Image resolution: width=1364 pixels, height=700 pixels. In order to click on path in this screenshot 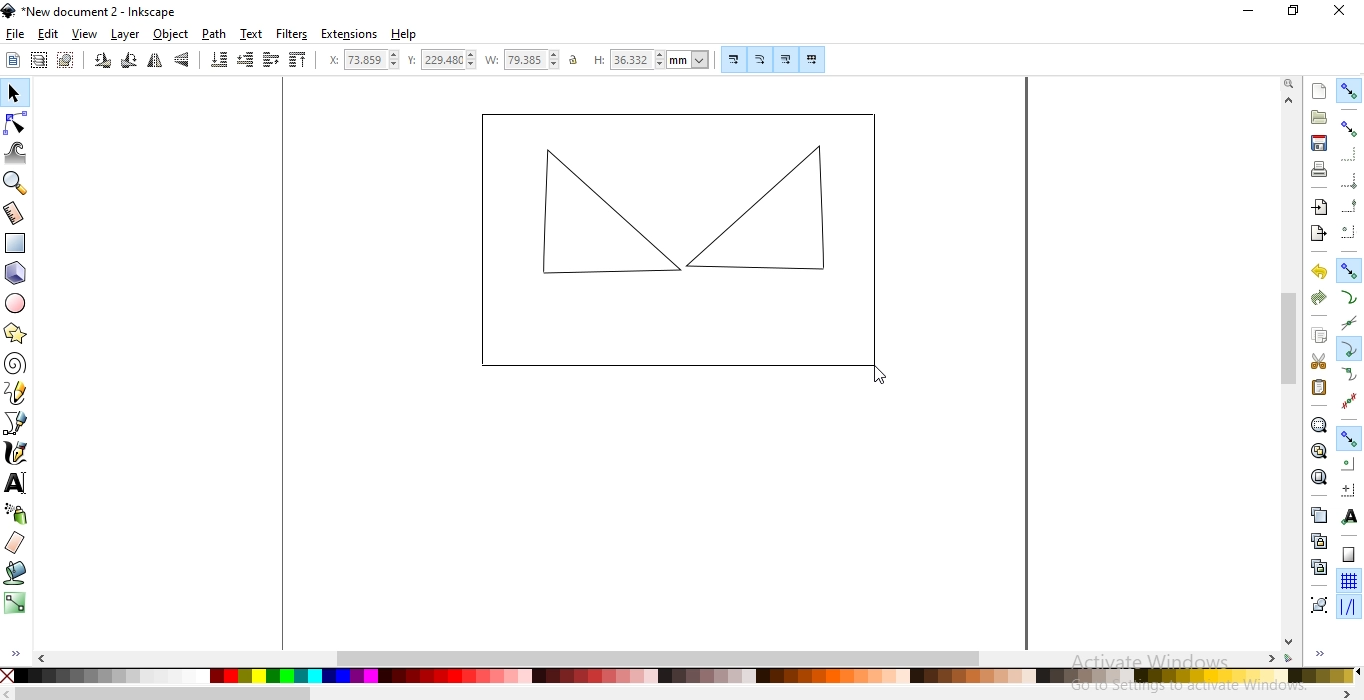, I will do `click(214, 34)`.